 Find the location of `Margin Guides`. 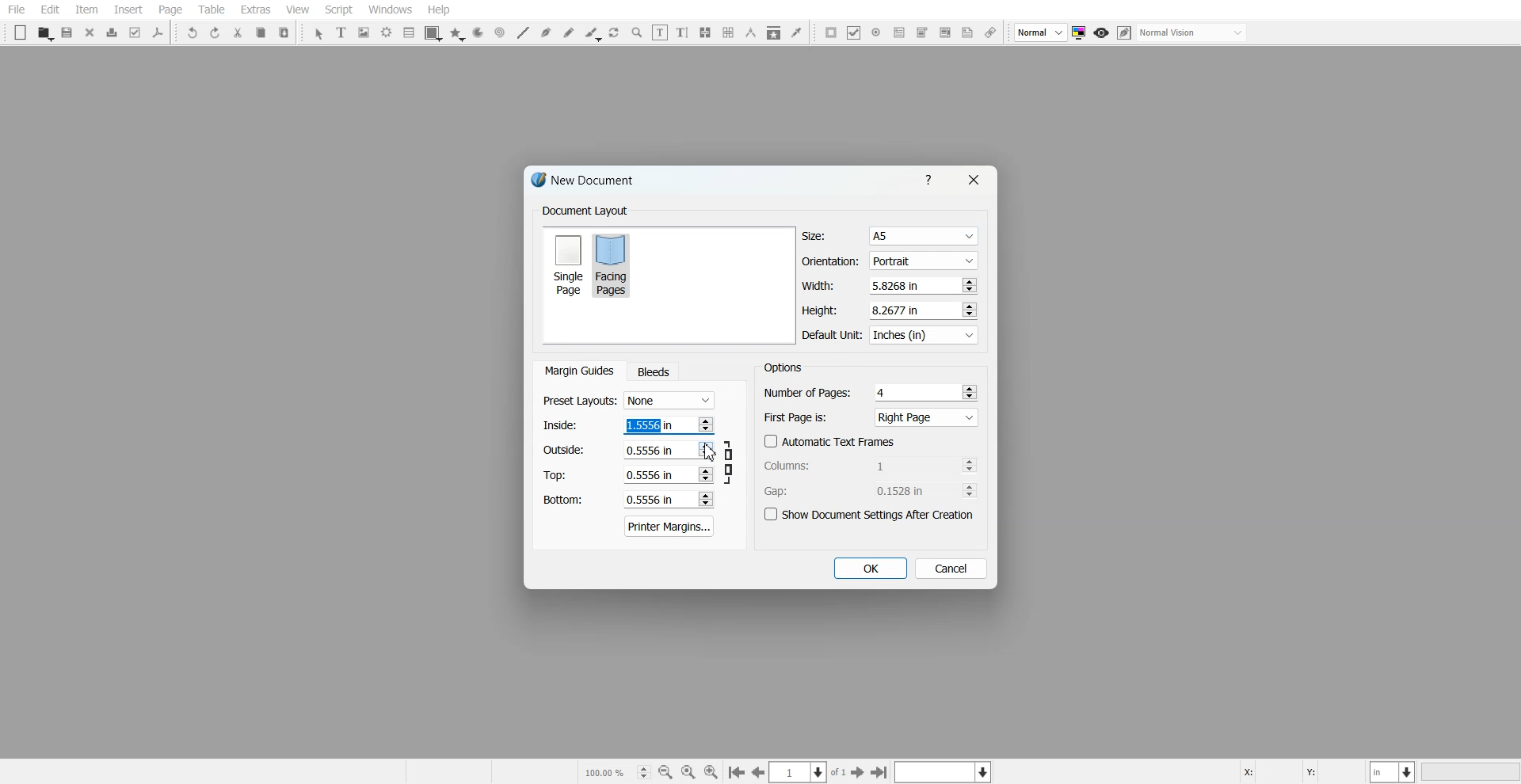

Margin Guides is located at coordinates (578, 371).